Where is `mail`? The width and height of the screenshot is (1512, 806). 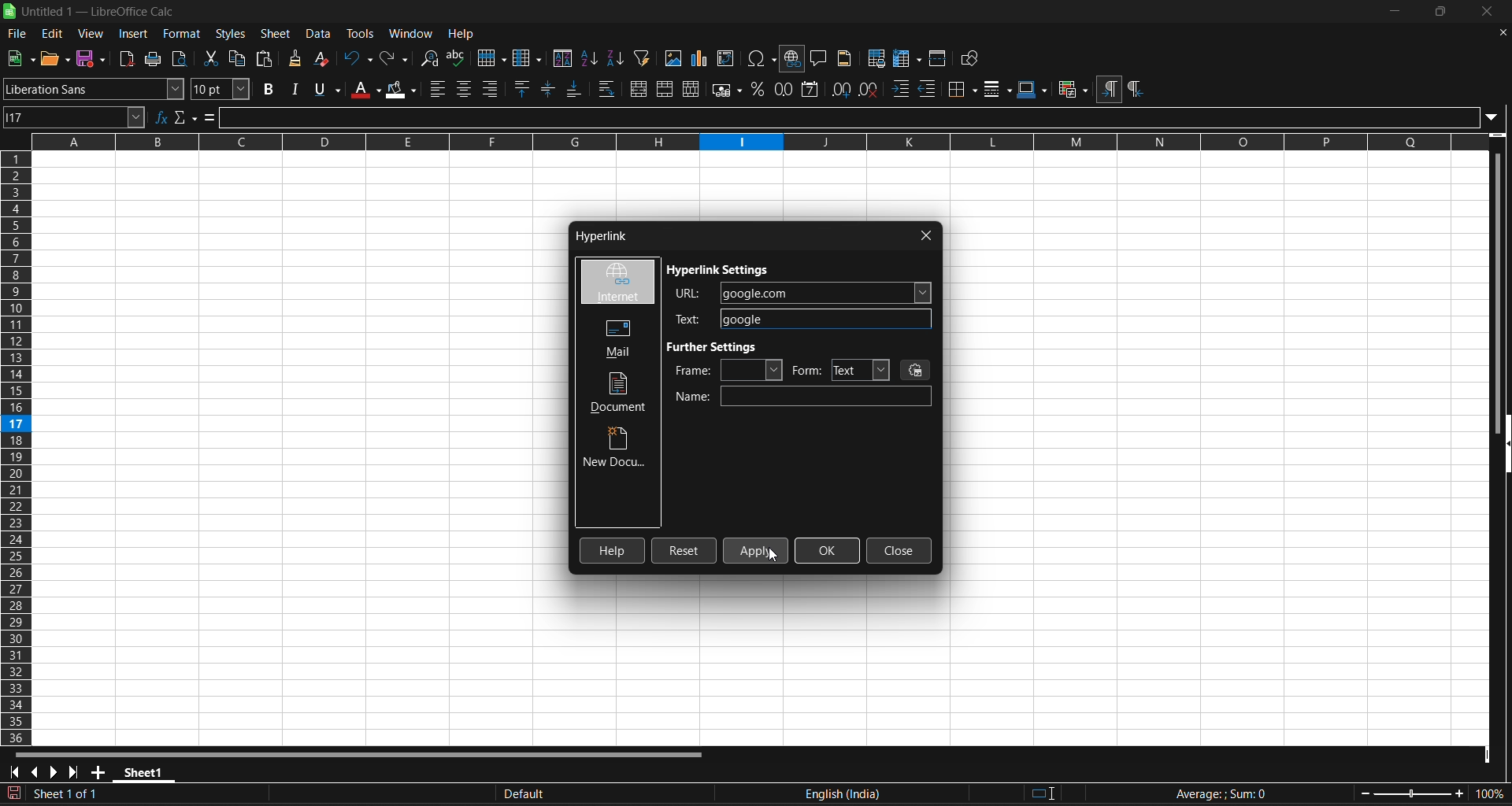
mail is located at coordinates (613, 337).